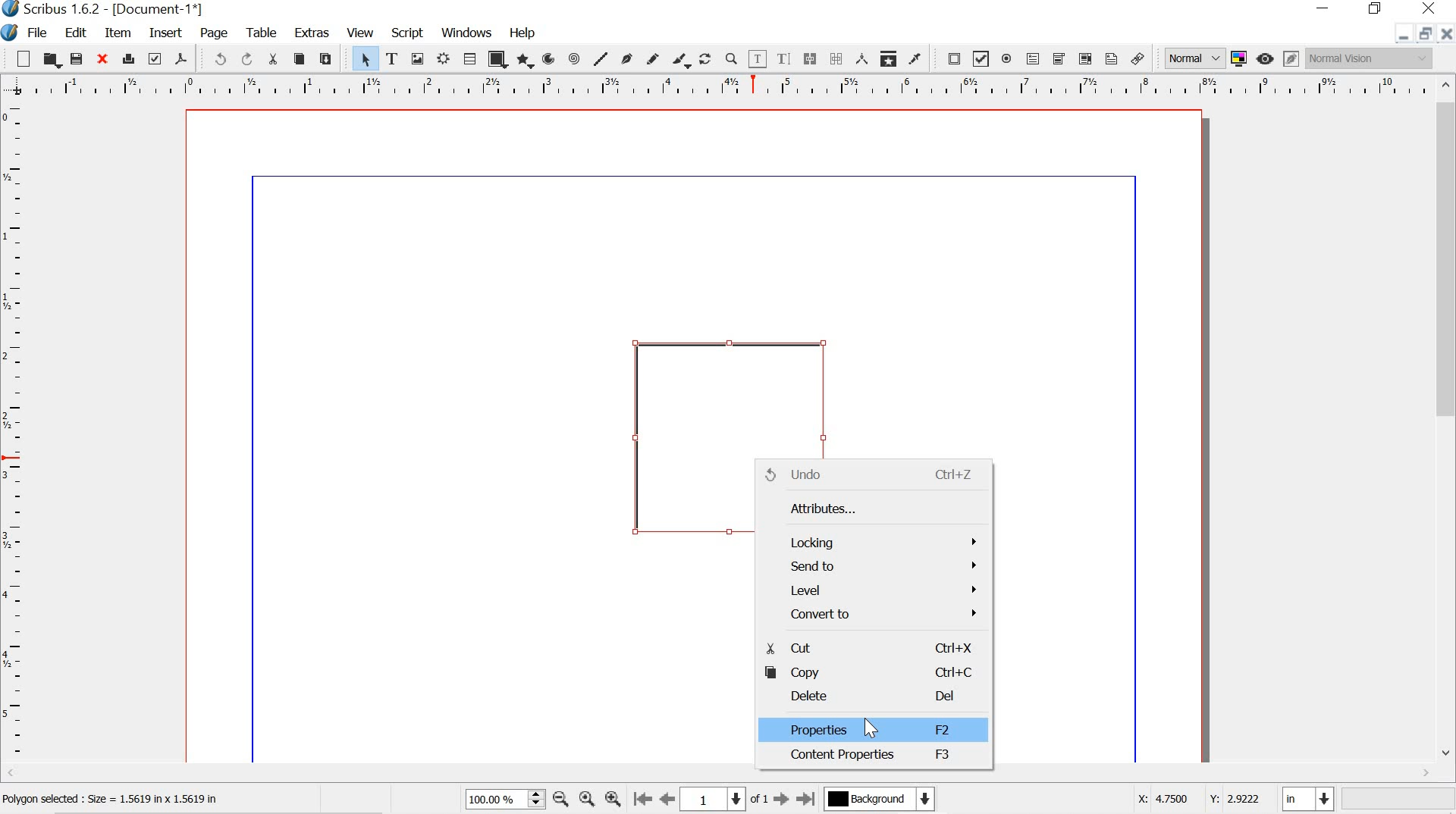  I want to click on toggle color management system, so click(1238, 59).